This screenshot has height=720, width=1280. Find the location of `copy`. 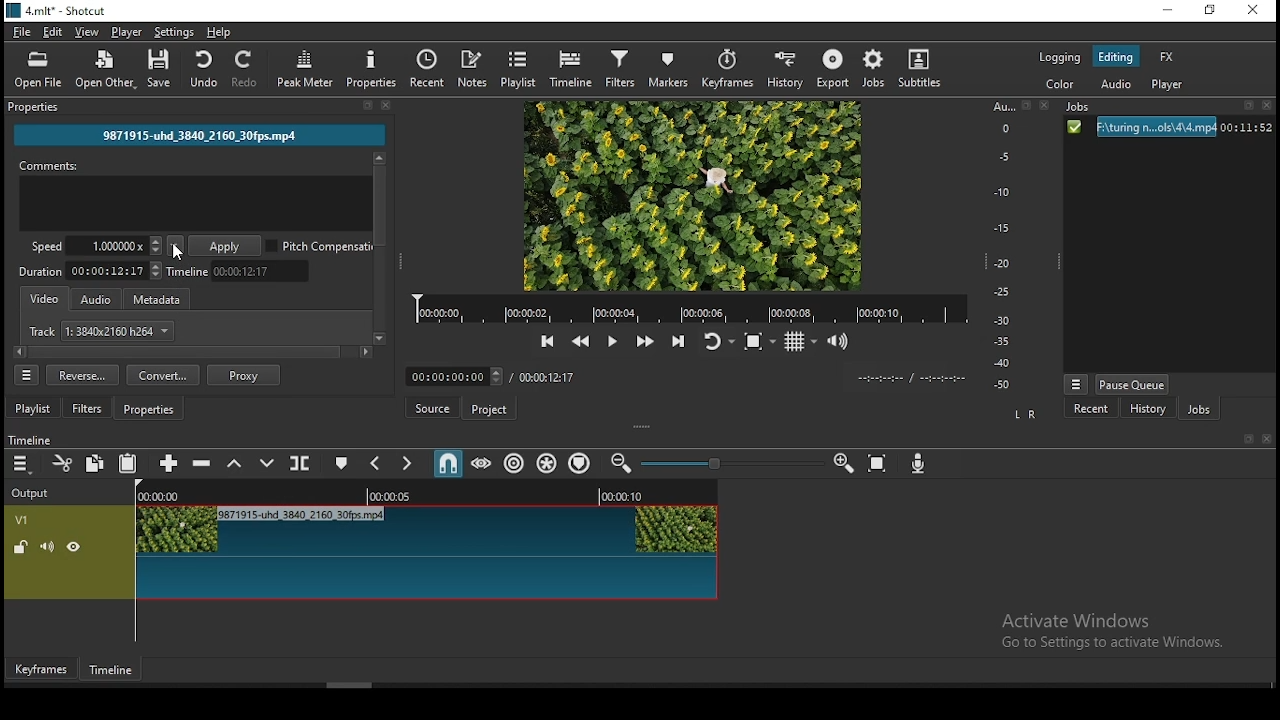

copy is located at coordinates (95, 464).